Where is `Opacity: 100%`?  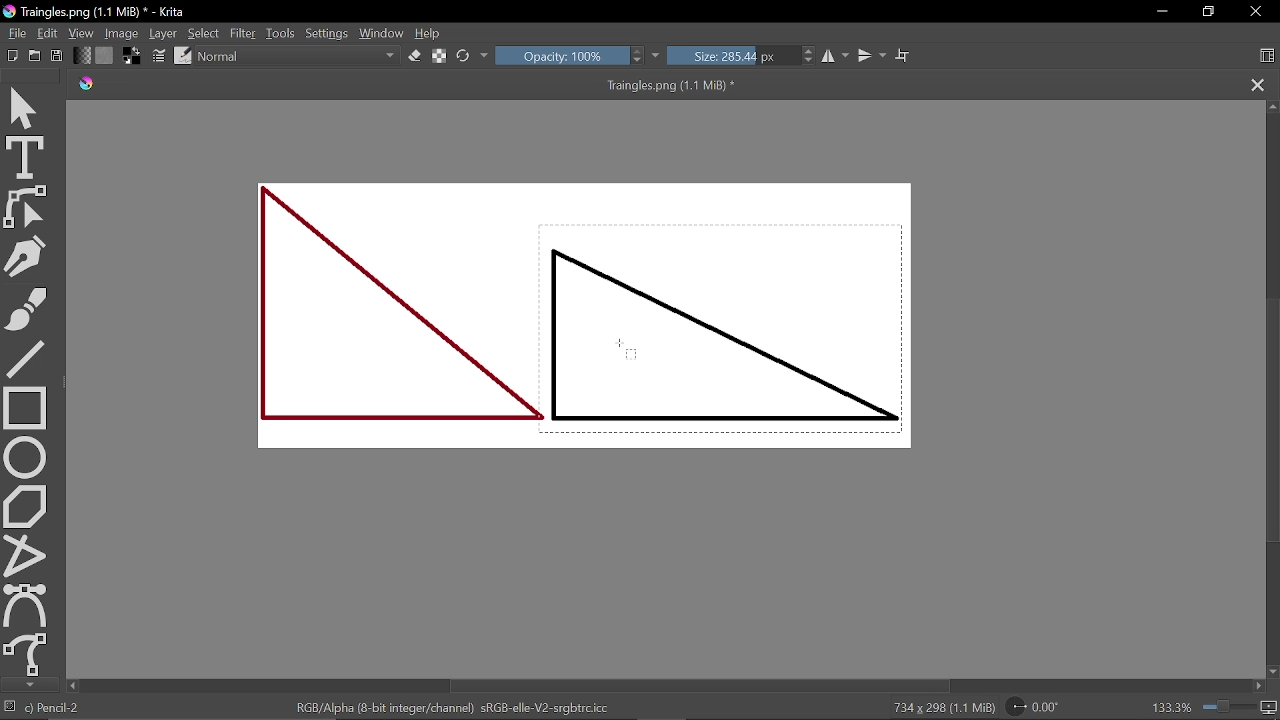 Opacity: 100% is located at coordinates (579, 56).